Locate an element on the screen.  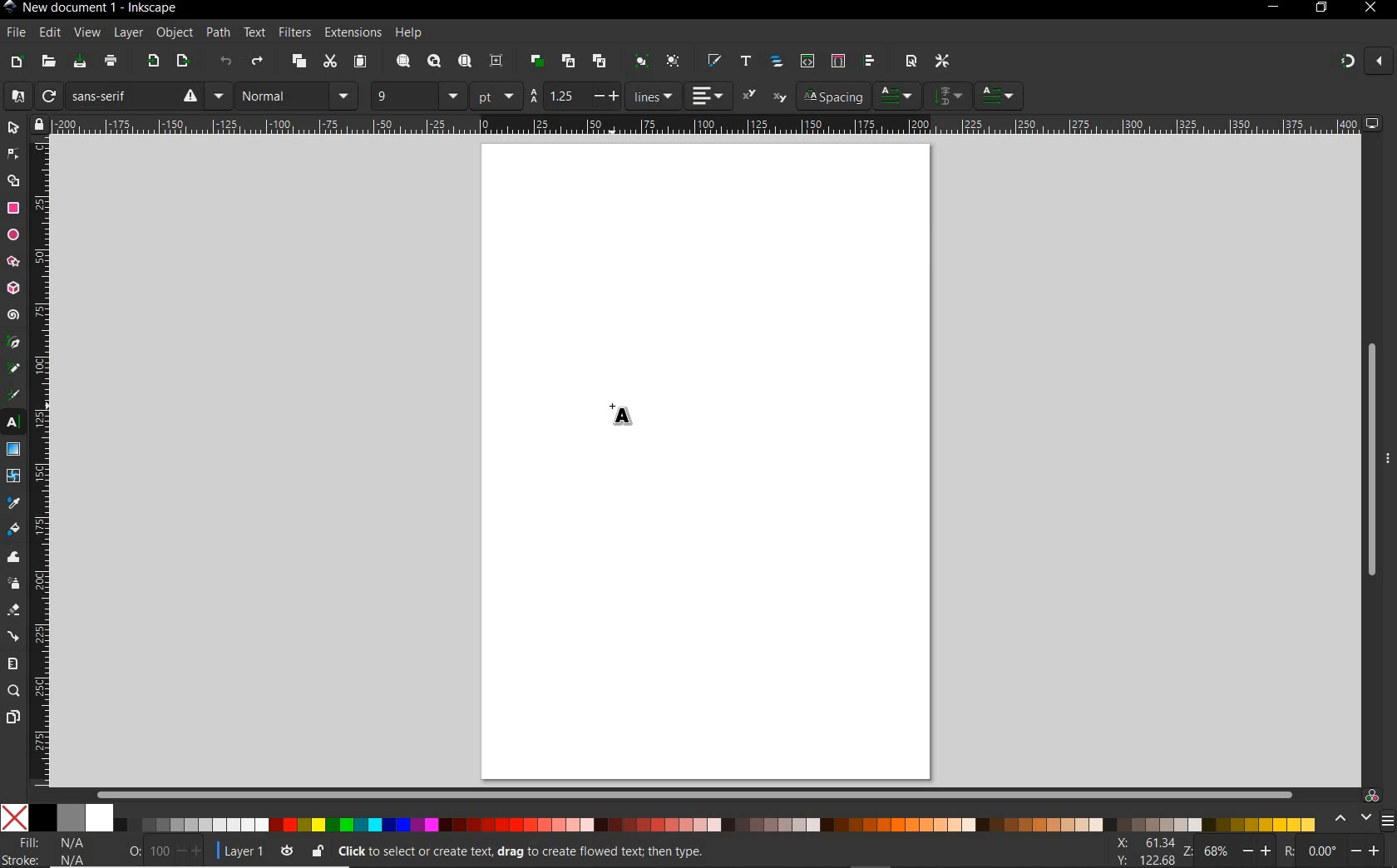
open document properties is located at coordinates (911, 60).